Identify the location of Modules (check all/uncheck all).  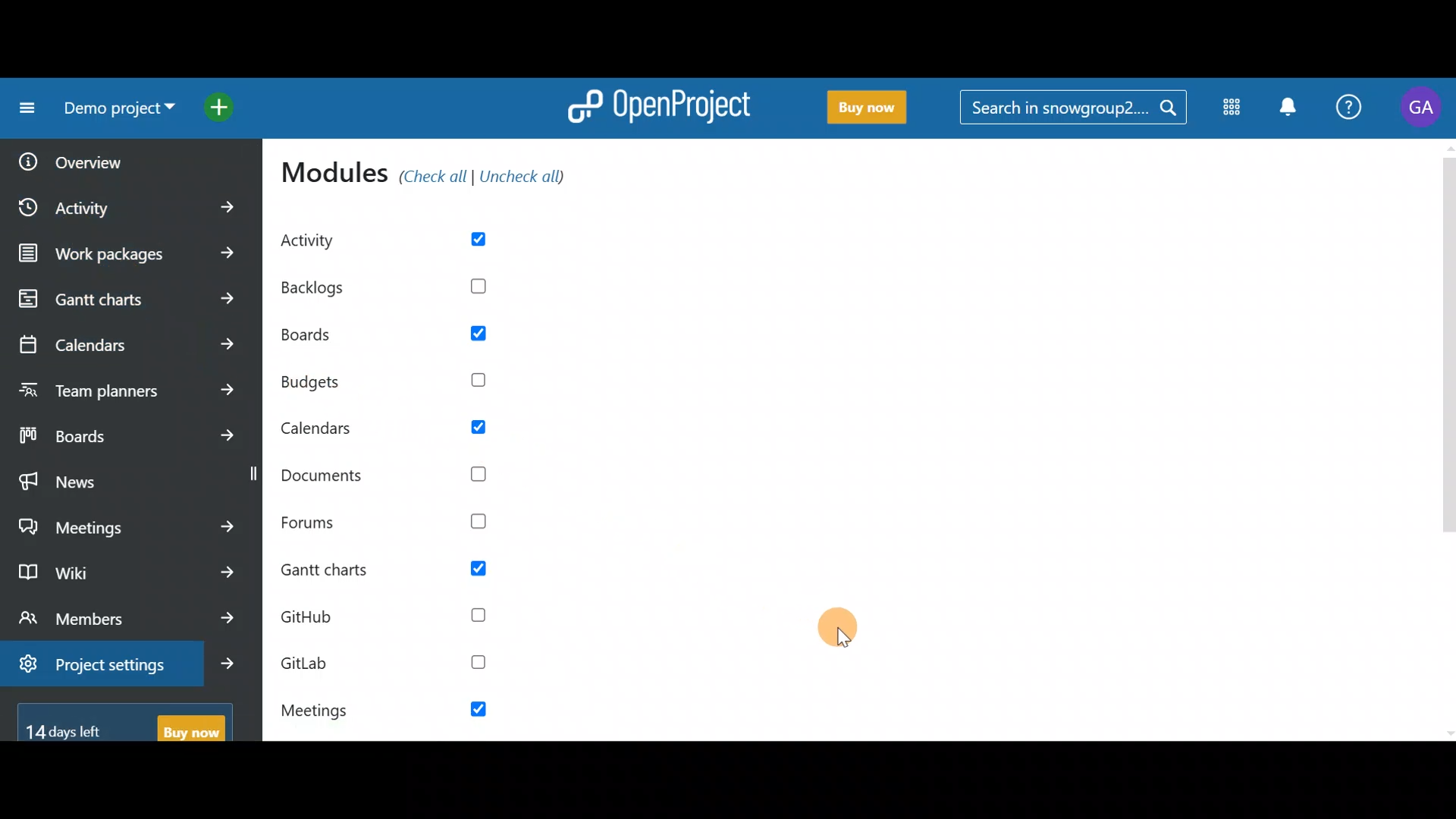
(431, 175).